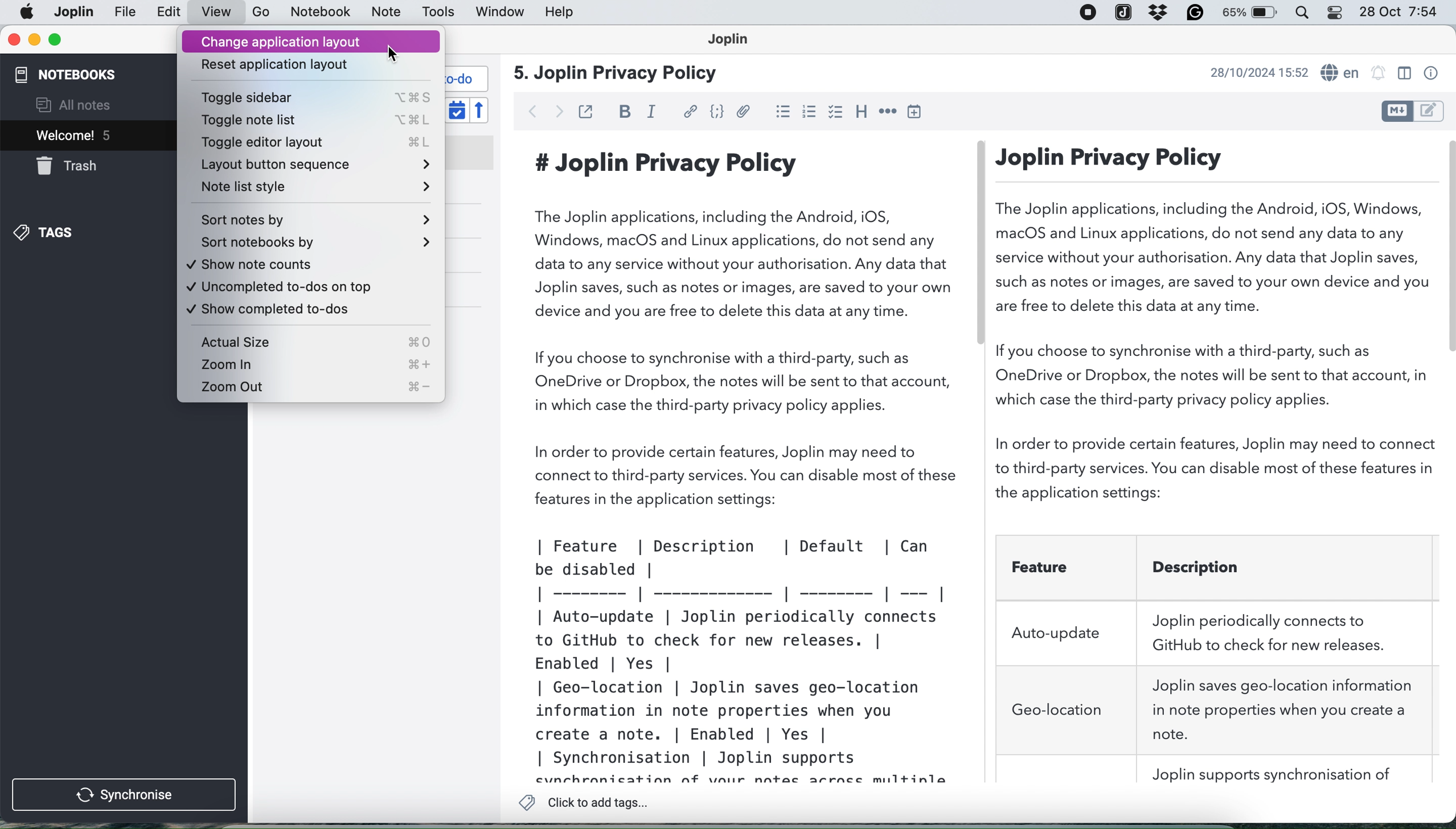 The height and width of the screenshot is (829, 1456). I want to click on vertical scroll bar, so click(1447, 247).